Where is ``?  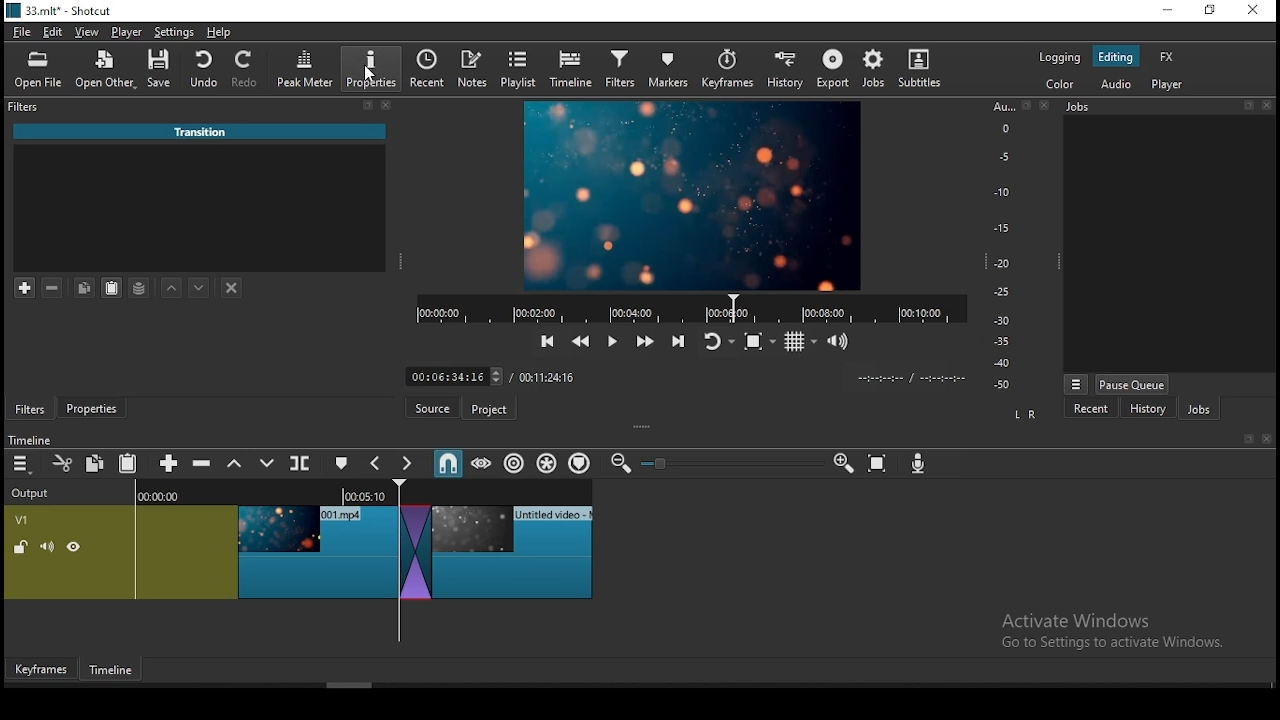  is located at coordinates (1266, 440).